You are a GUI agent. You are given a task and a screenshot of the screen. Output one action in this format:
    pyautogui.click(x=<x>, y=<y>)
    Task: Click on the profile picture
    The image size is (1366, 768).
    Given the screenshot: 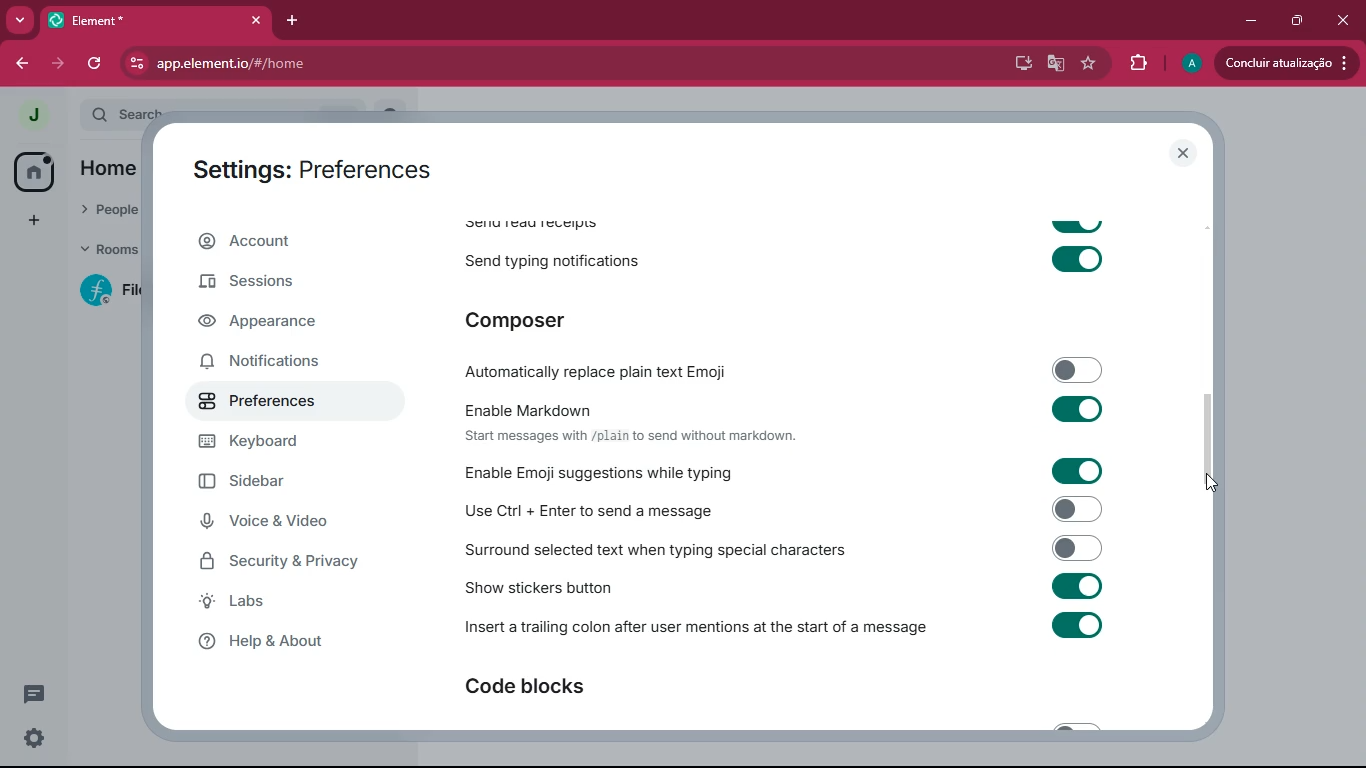 What is the action you would take?
    pyautogui.click(x=28, y=114)
    